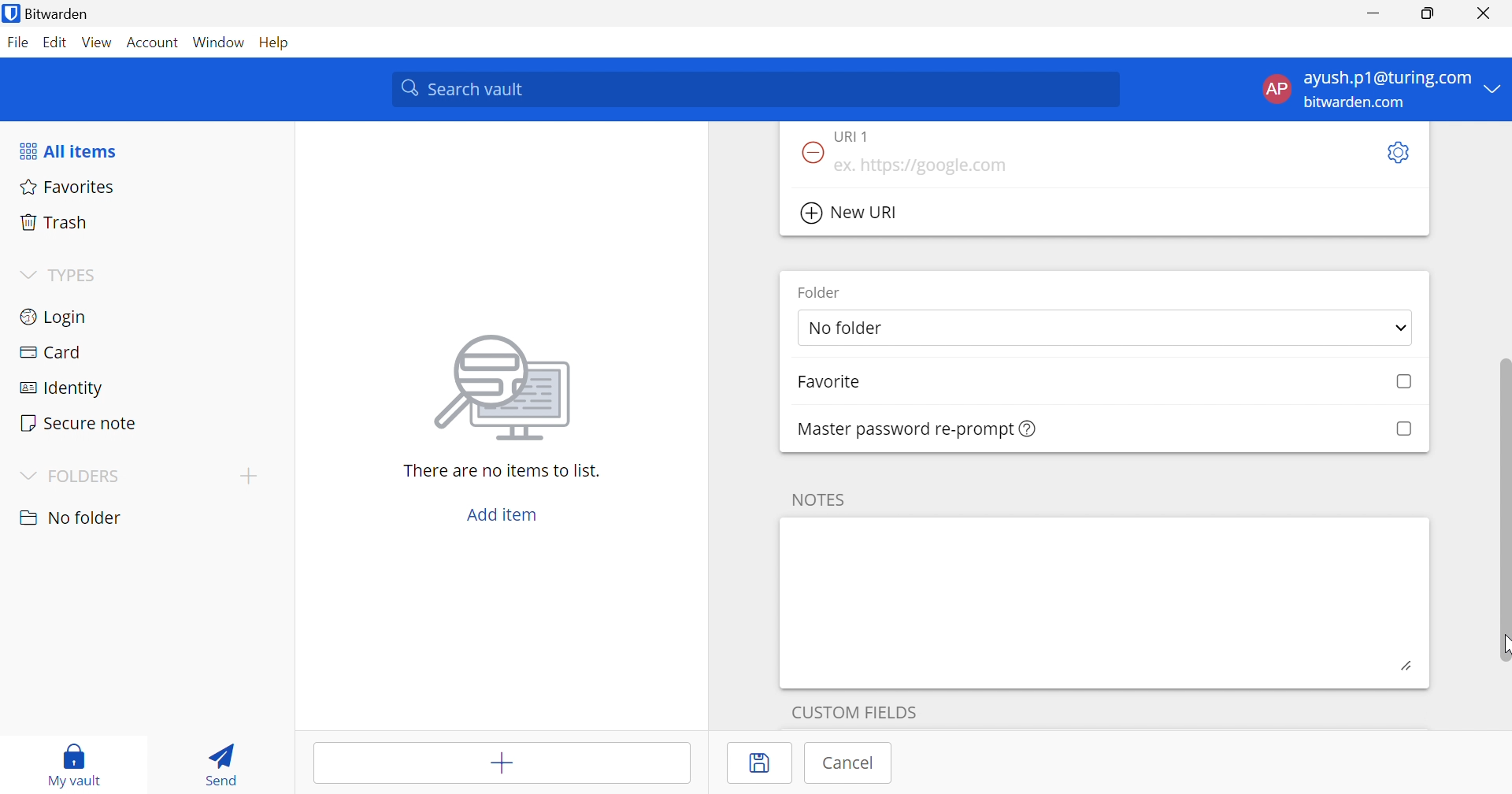 Image resolution: width=1512 pixels, height=794 pixels. What do you see at coordinates (854, 710) in the screenshot?
I see `CUSTOM FIELDS` at bounding box center [854, 710].